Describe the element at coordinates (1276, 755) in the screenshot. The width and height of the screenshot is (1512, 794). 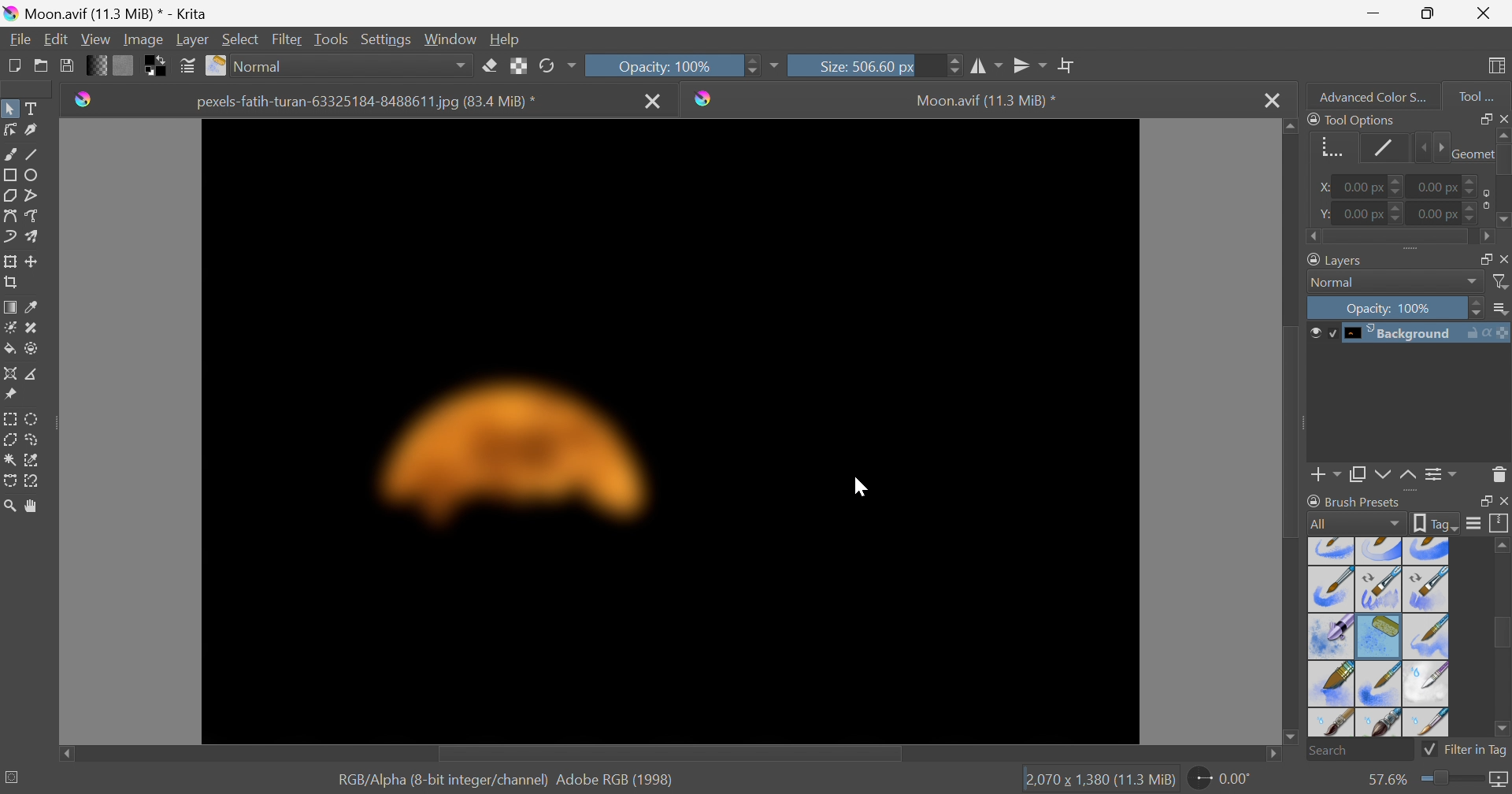
I see `Scroll right` at that location.